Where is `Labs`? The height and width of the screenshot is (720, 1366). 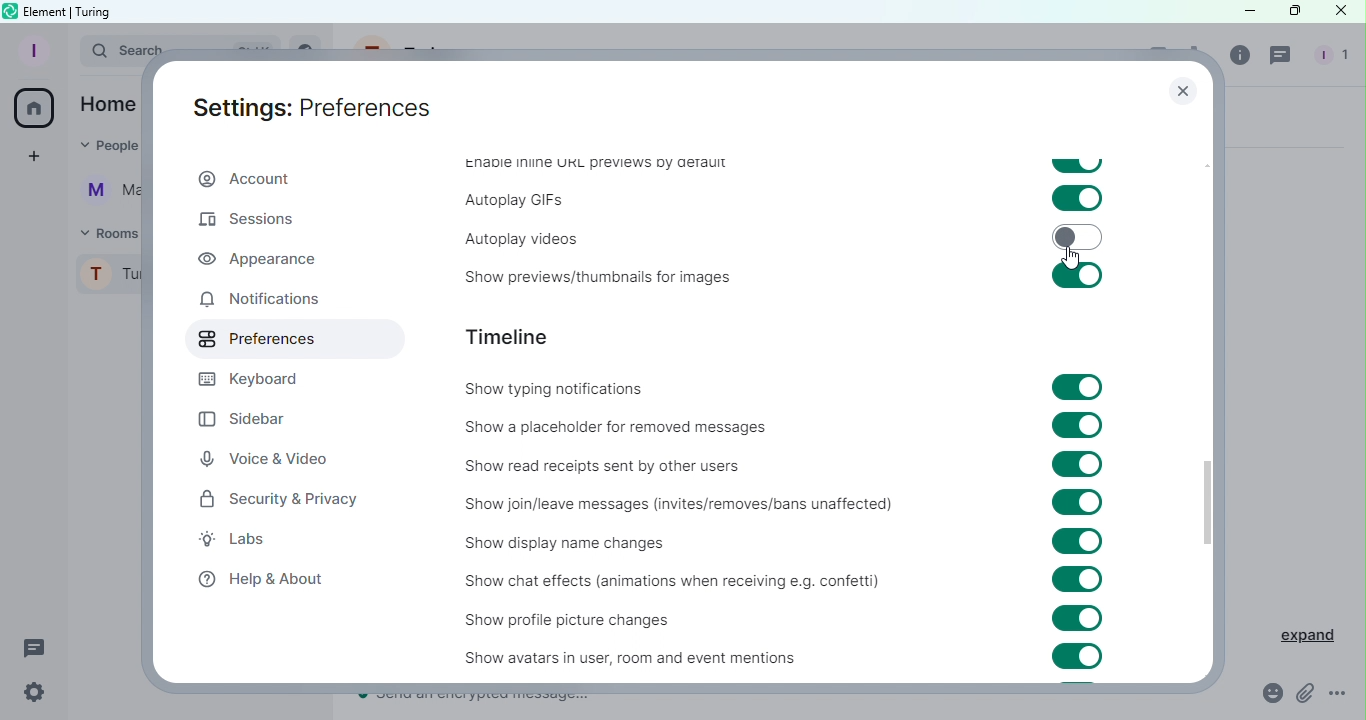 Labs is located at coordinates (251, 541).